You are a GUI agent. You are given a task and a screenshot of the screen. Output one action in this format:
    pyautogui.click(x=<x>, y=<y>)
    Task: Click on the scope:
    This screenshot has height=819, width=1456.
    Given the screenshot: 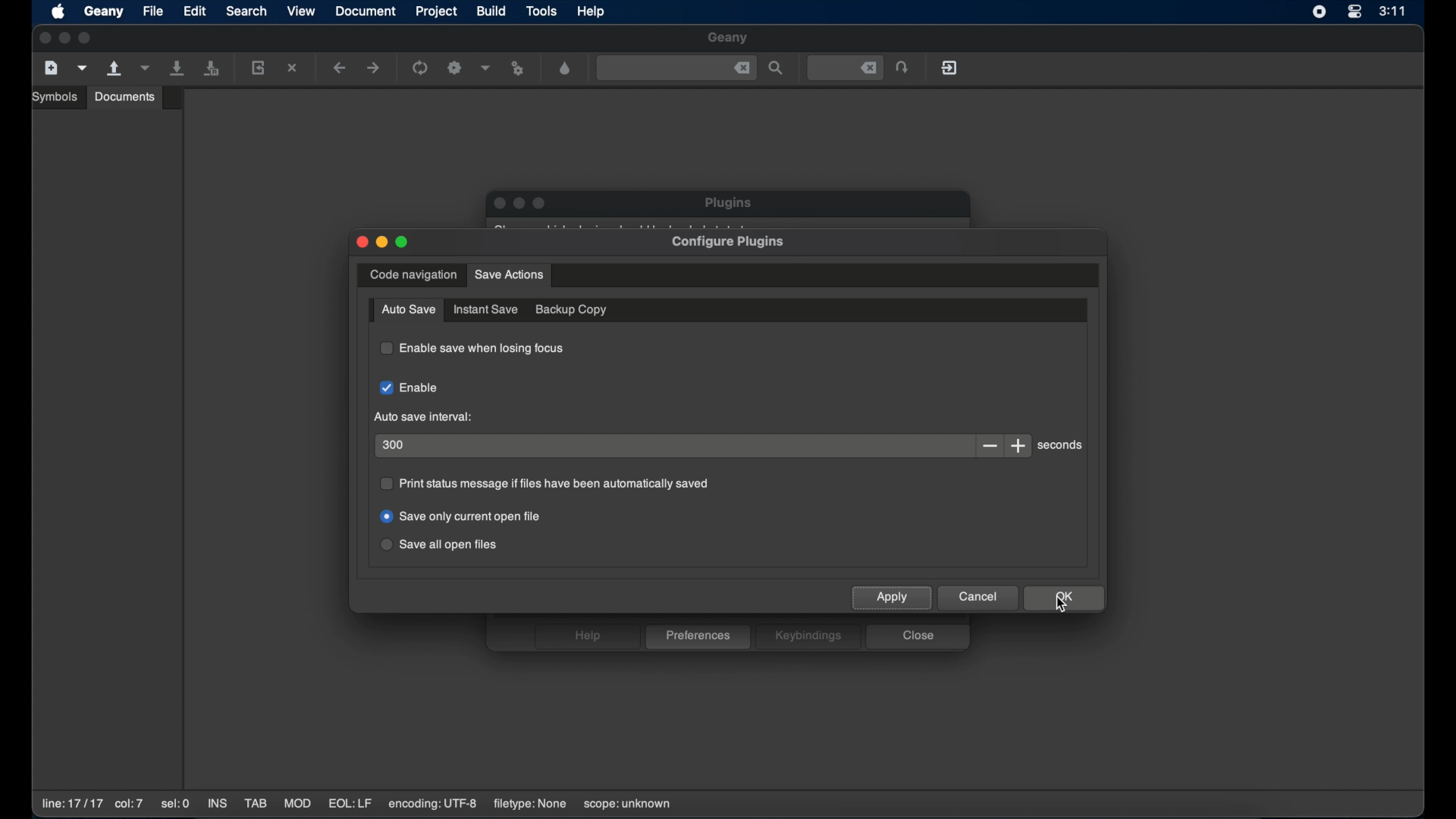 What is the action you would take?
    pyautogui.click(x=627, y=805)
    